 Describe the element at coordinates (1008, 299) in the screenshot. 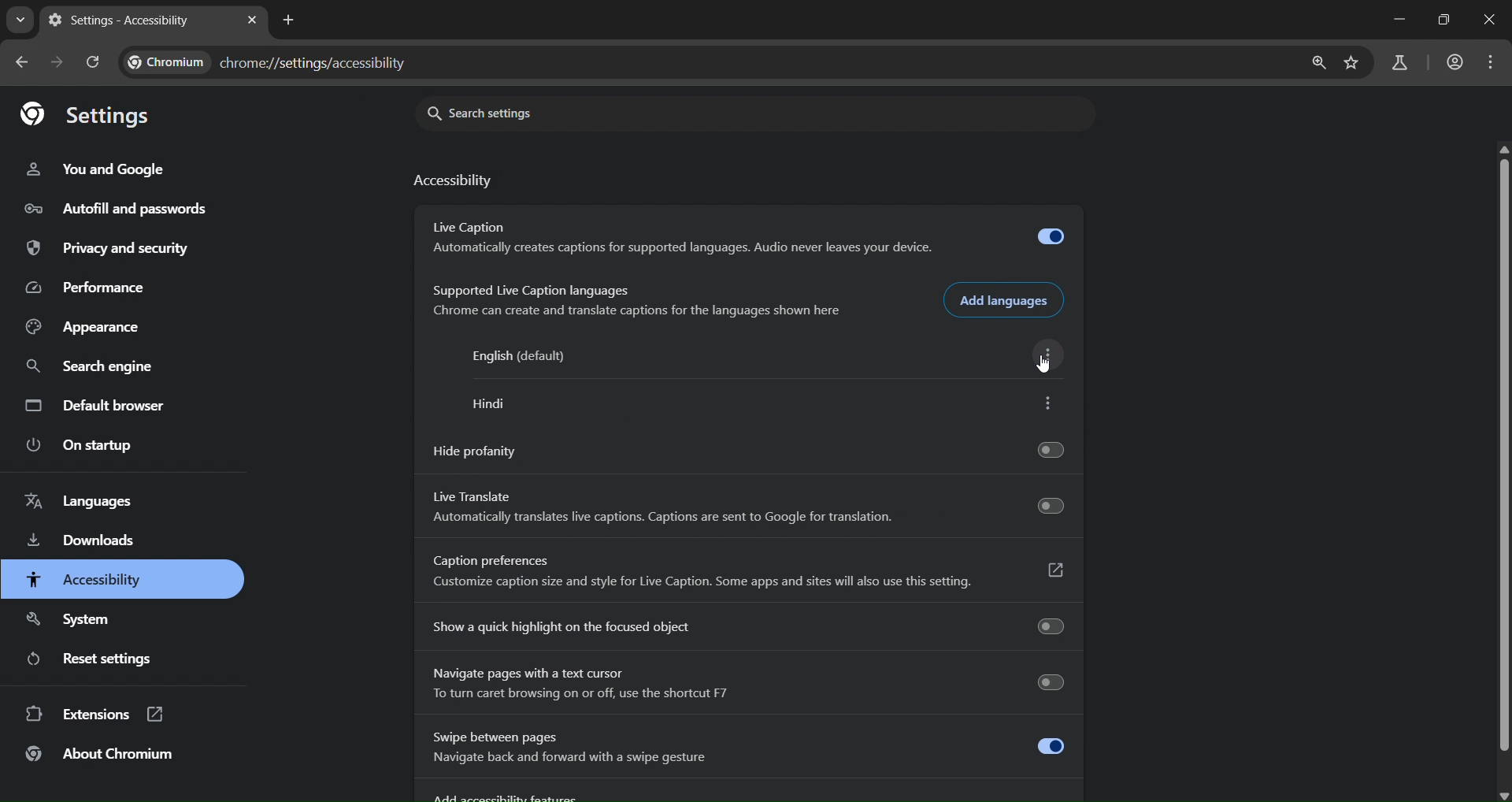

I see `add languages` at that location.